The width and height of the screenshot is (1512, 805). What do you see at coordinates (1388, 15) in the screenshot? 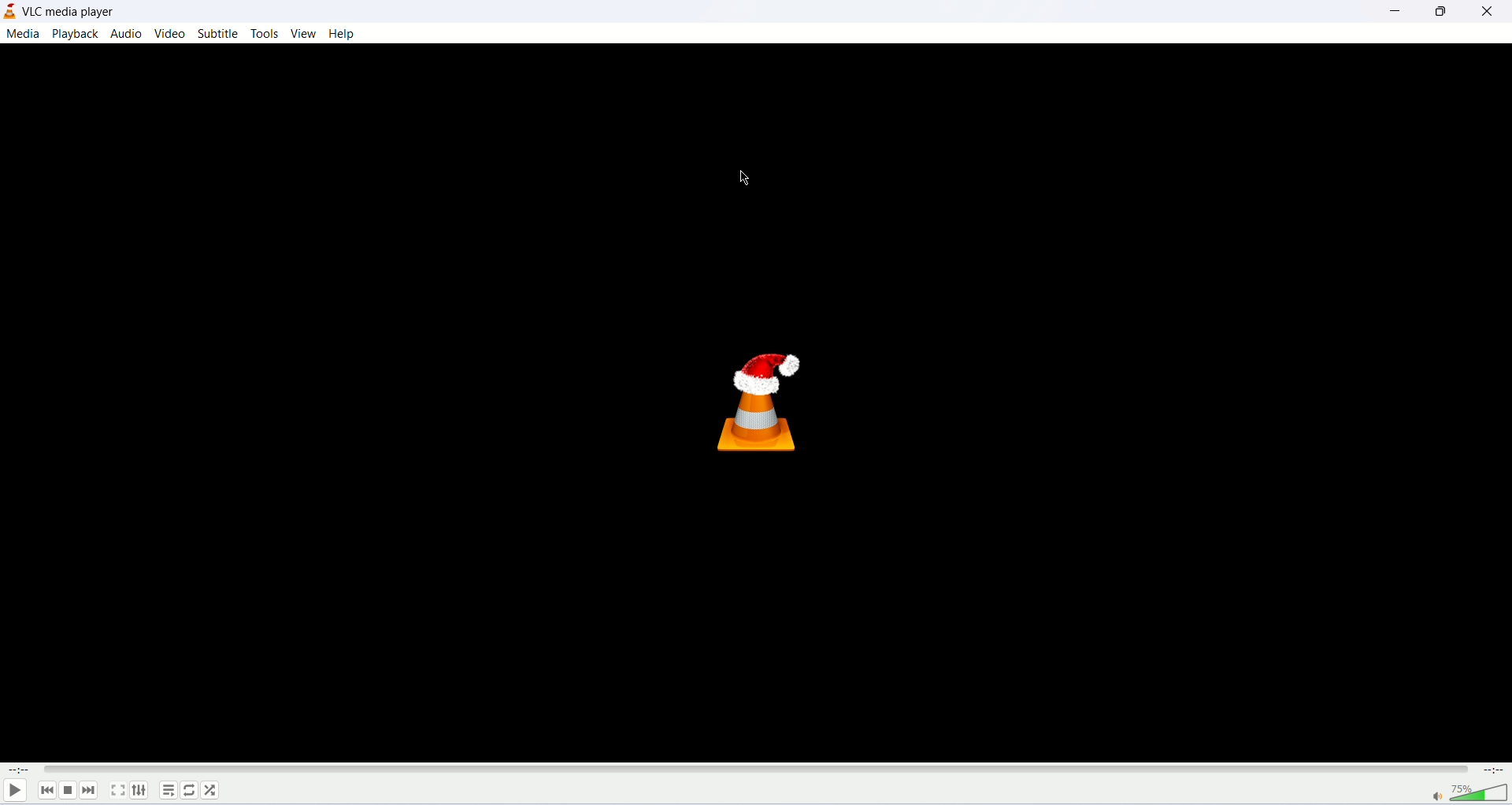
I see `minimize` at bounding box center [1388, 15].